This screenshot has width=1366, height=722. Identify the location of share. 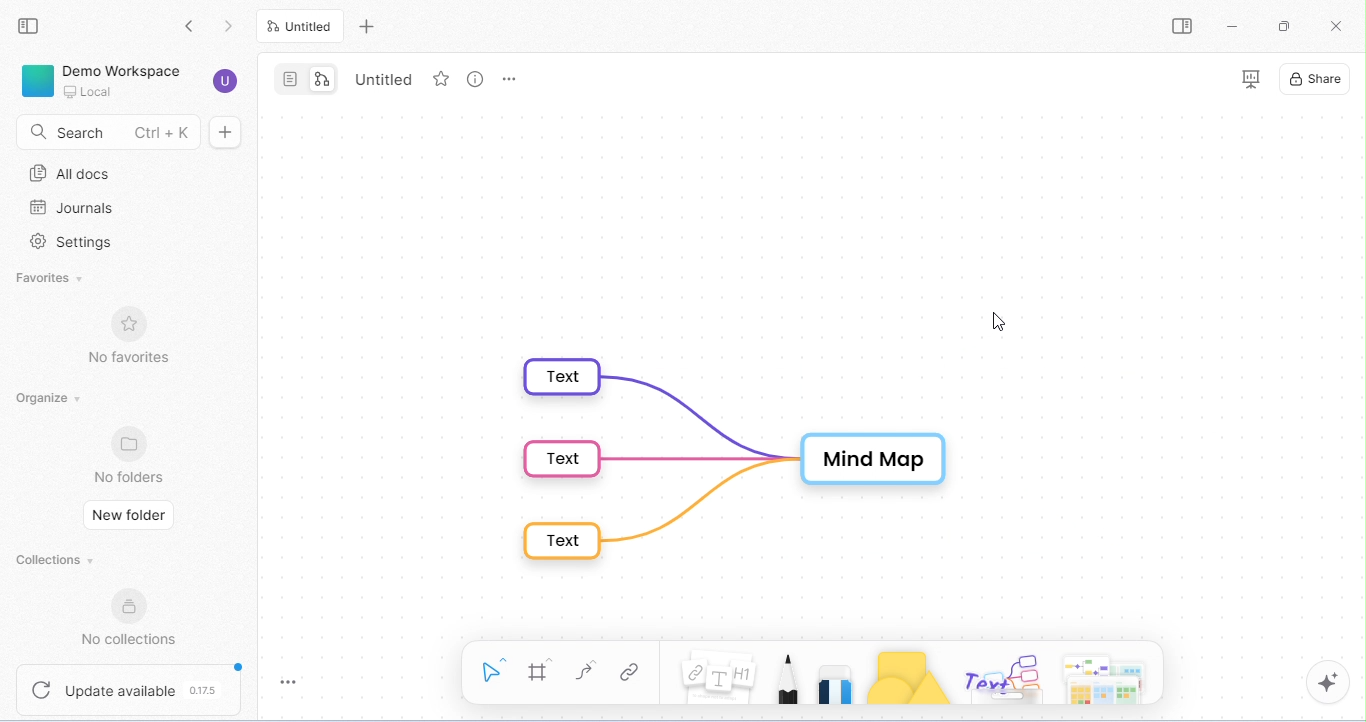
(1319, 79).